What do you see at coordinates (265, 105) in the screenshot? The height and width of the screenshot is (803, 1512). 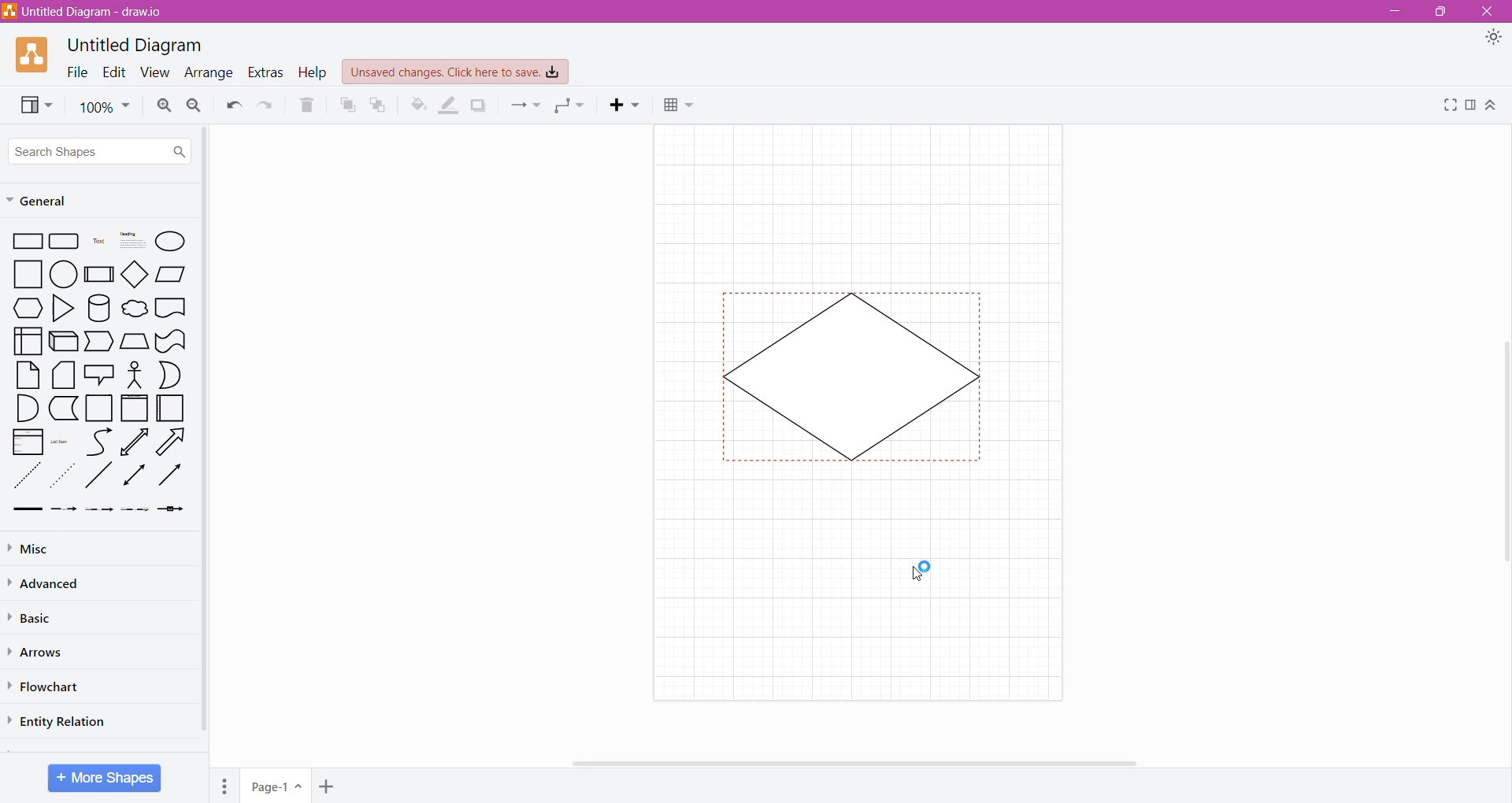 I see `Redo` at bounding box center [265, 105].